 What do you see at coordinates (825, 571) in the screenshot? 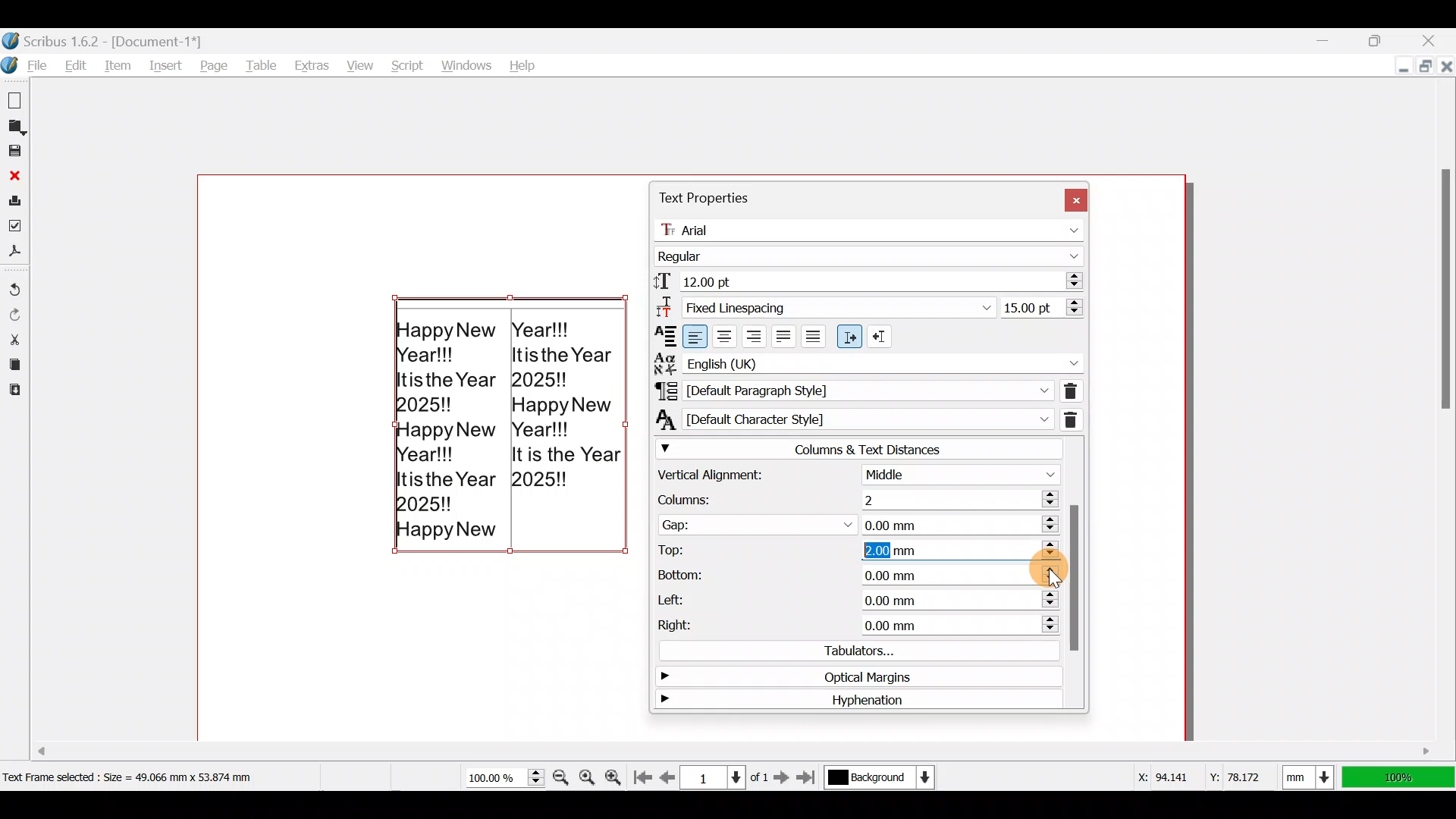
I see `Bottom` at bounding box center [825, 571].